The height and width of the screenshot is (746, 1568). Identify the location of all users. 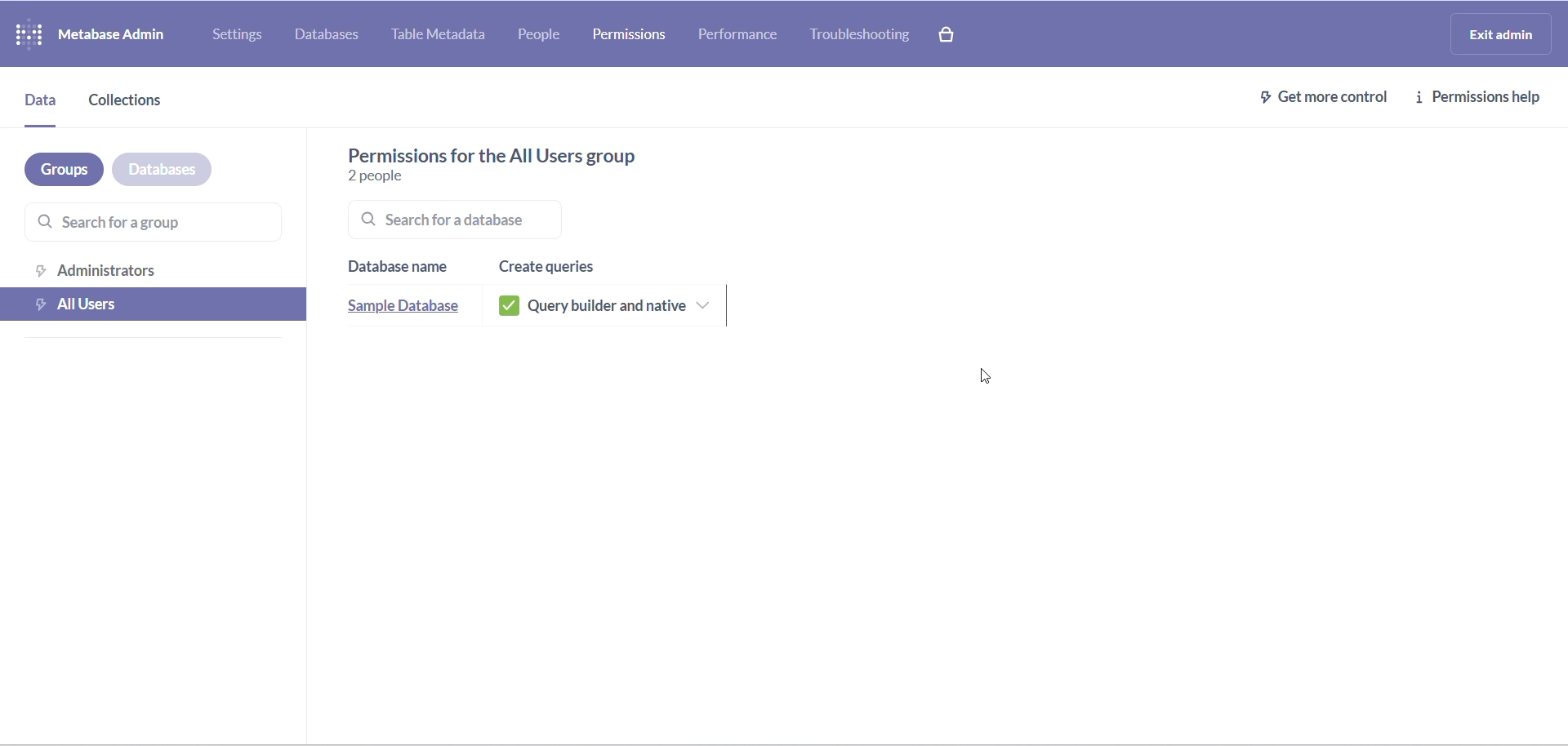
(157, 303).